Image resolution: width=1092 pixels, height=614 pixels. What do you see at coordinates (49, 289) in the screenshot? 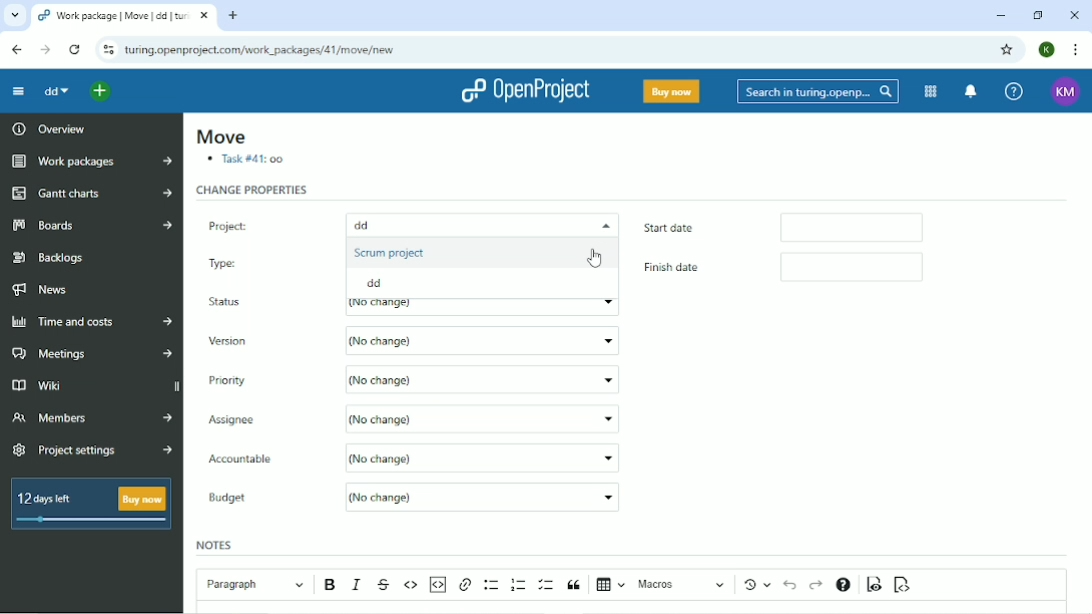
I see `News` at bounding box center [49, 289].